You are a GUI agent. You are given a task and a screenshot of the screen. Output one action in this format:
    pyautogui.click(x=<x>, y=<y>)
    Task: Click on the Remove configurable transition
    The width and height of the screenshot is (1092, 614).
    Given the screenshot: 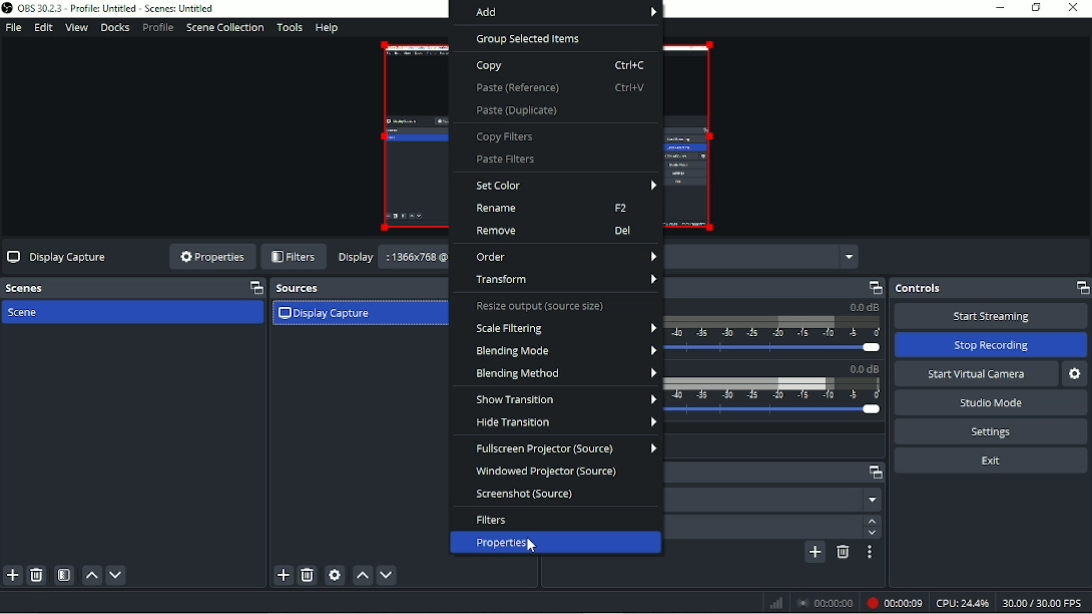 What is the action you would take?
    pyautogui.click(x=843, y=554)
    